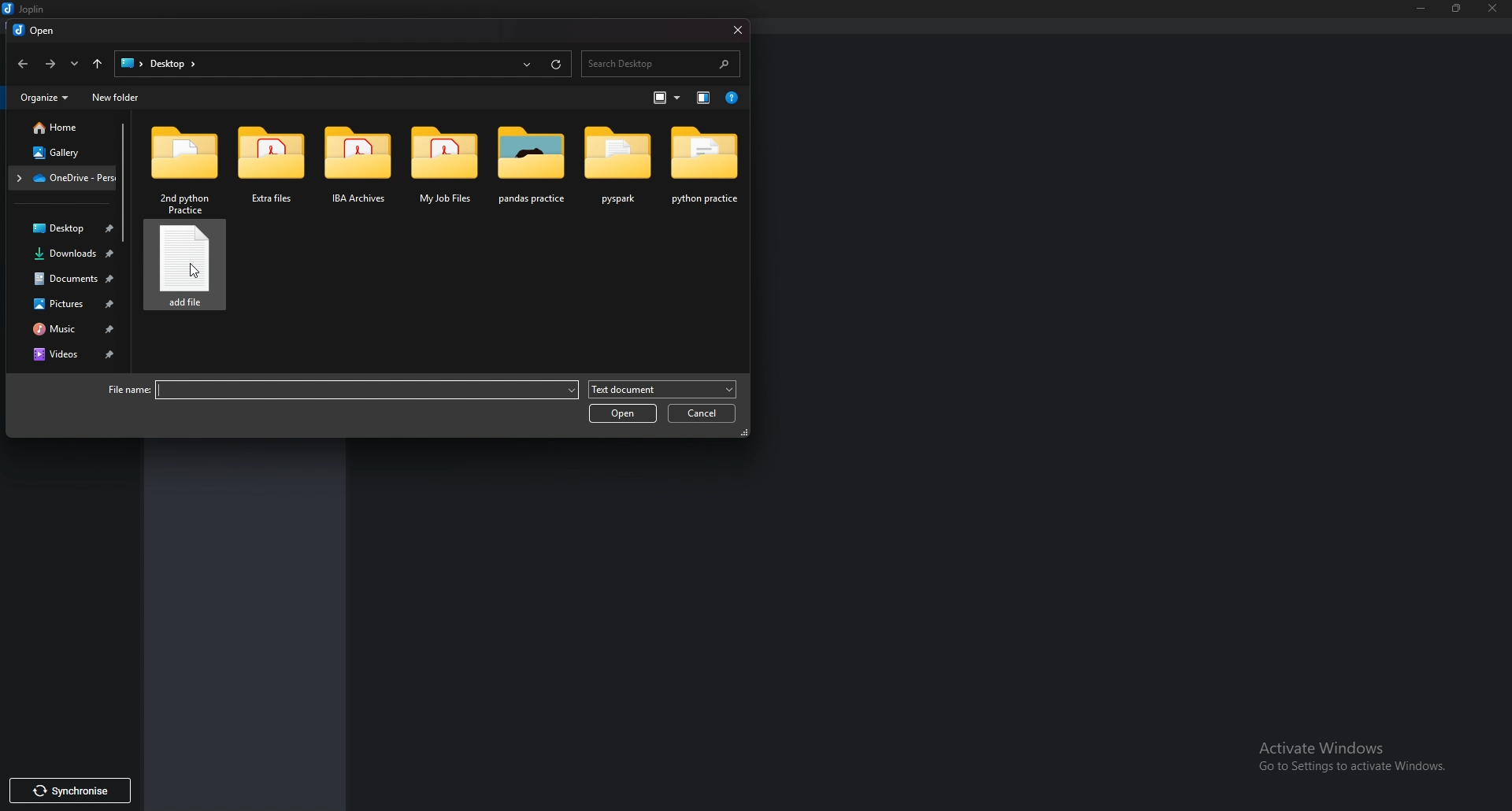 The height and width of the screenshot is (811, 1512). What do you see at coordinates (160, 65) in the screenshot?
I see `path` at bounding box center [160, 65].